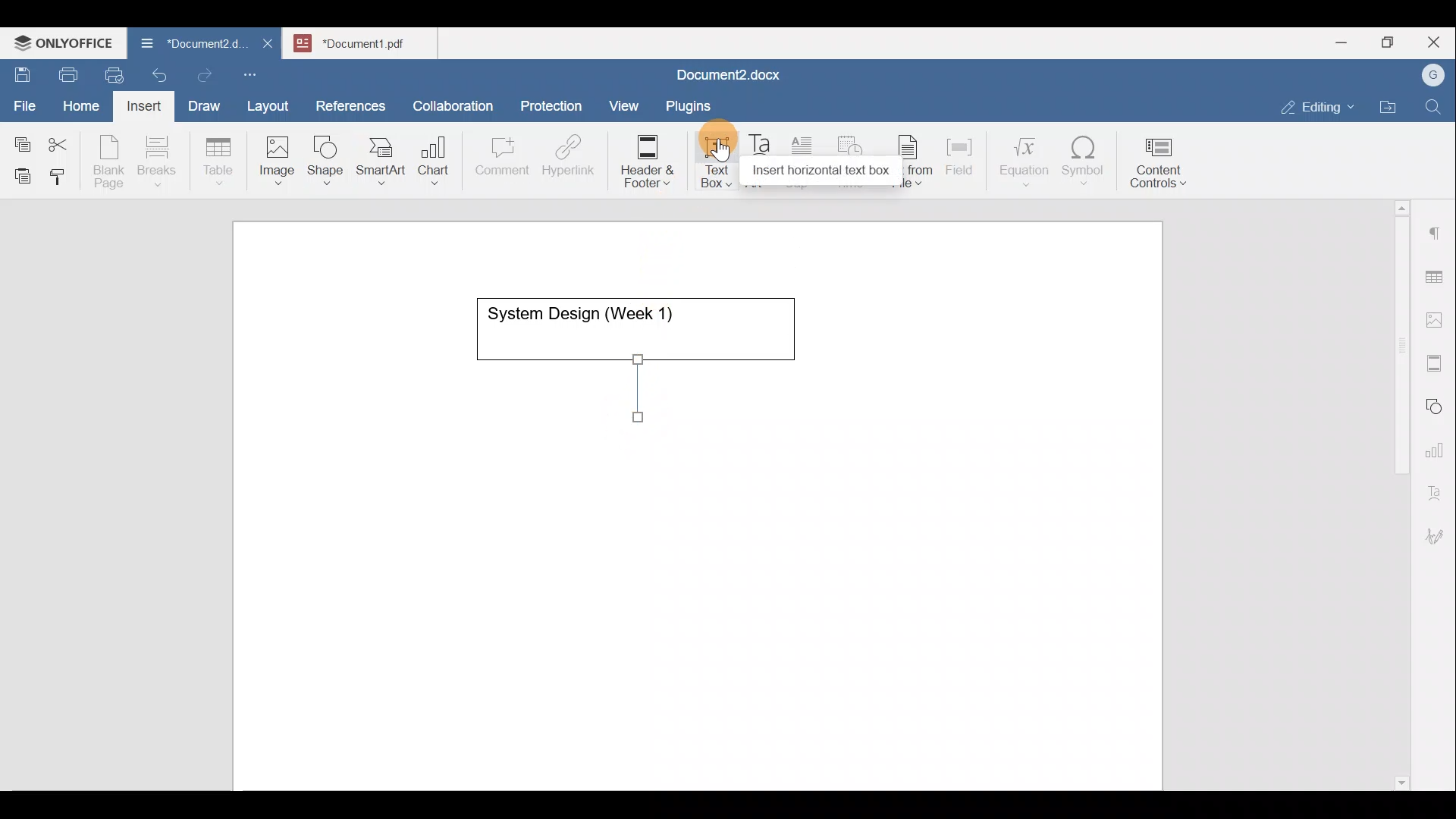  What do you see at coordinates (1392, 108) in the screenshot?
I see `Open file location` at bounding box center [1392, 108].